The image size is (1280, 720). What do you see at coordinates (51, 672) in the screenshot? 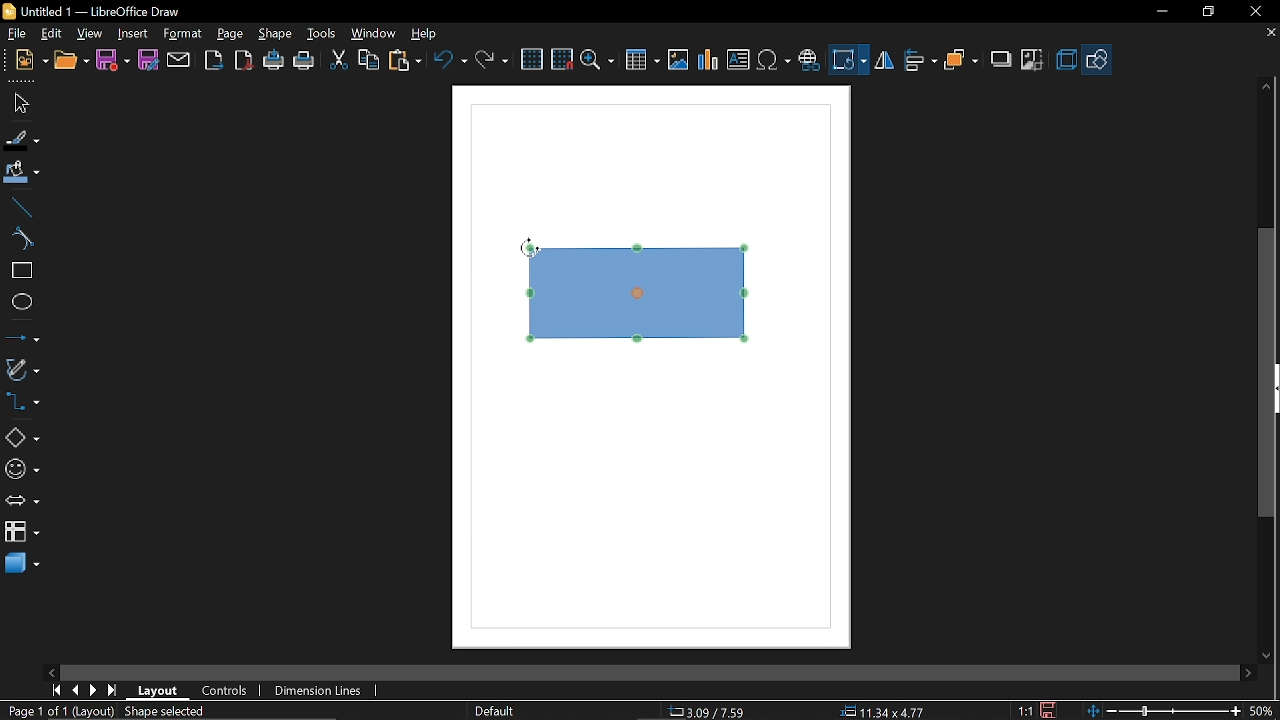
I see `Move left` at bounding box center [51, 672].